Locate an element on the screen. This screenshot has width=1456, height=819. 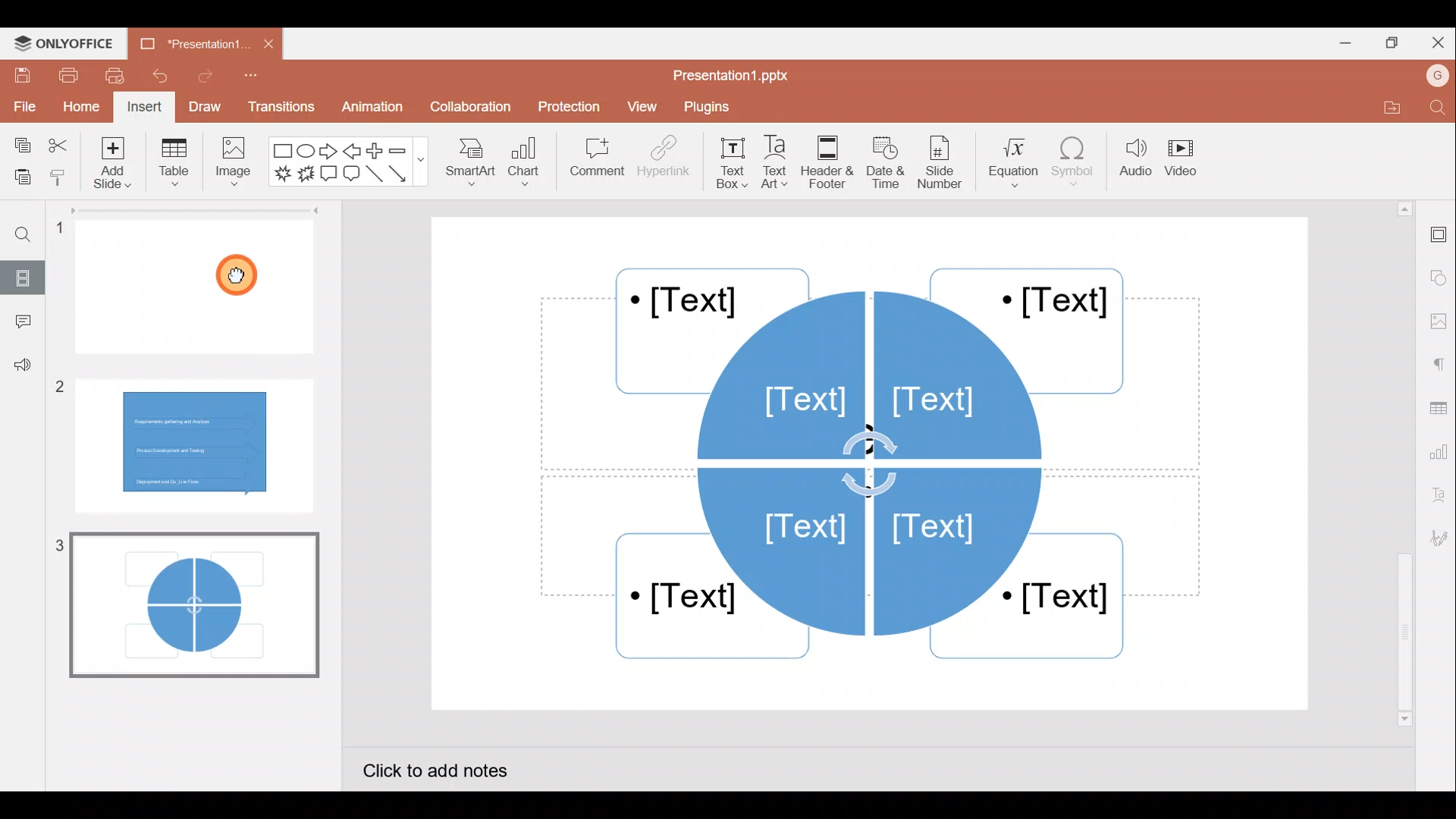
Protection is located at coordinates (566, 103).